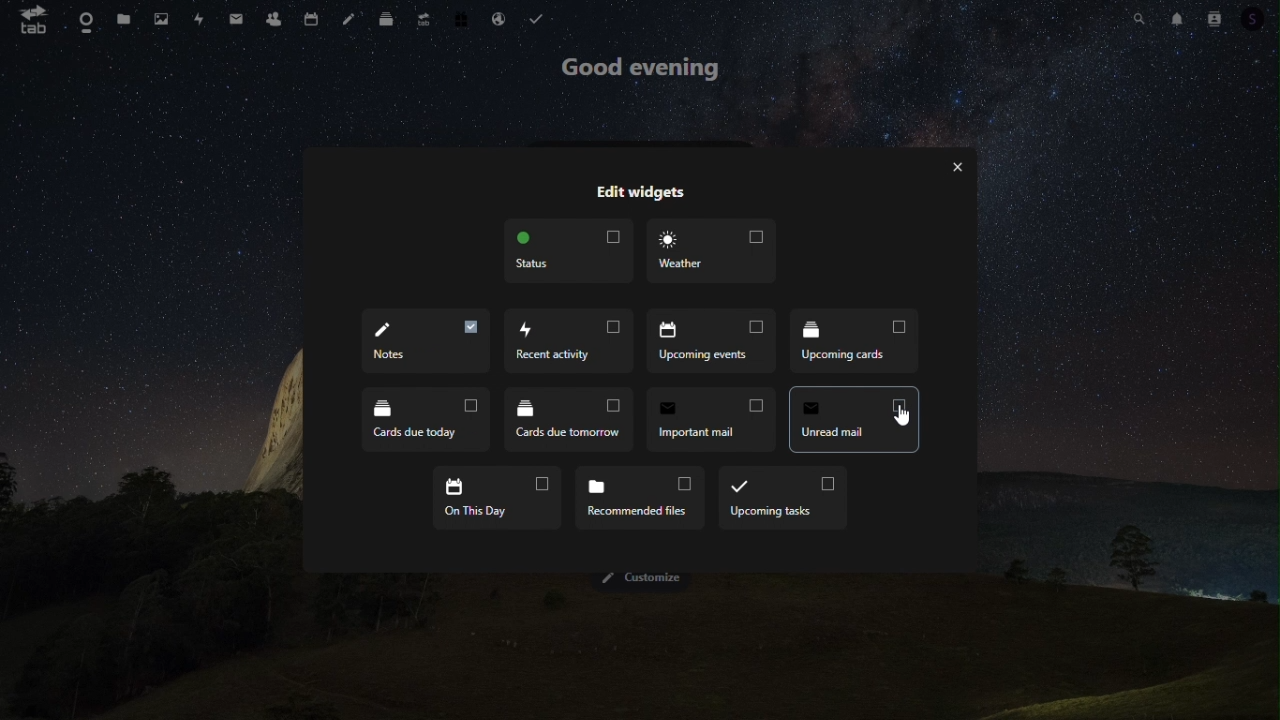 The width and height of the screenshot is (1280, 720). Describe the element at coordinates (643, 193) in the screenshot. I see `Edit widgets` at that location.